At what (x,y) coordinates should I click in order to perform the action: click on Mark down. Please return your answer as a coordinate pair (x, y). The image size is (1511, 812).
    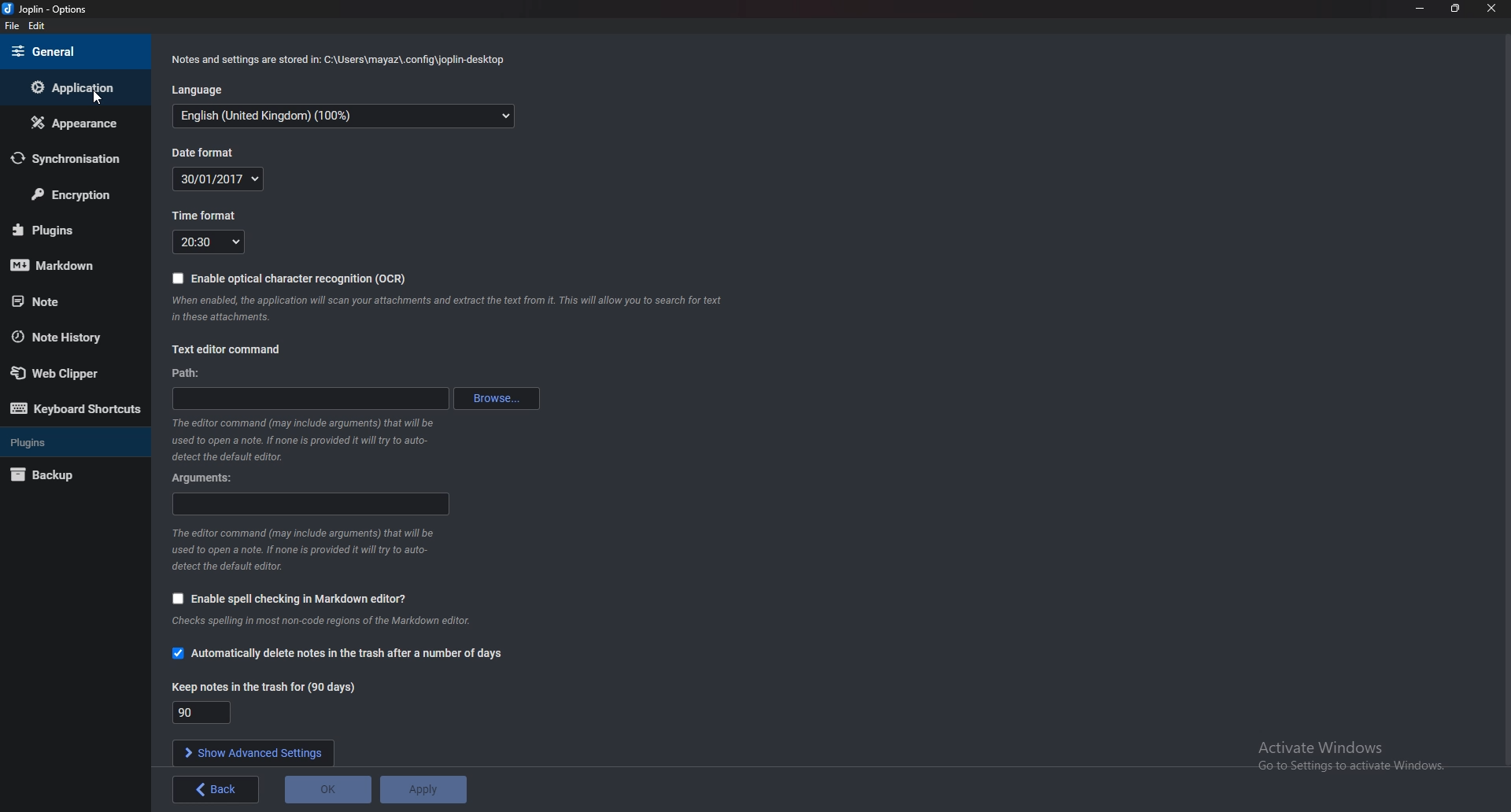
    Looking at the image, I should click on (68, 264).